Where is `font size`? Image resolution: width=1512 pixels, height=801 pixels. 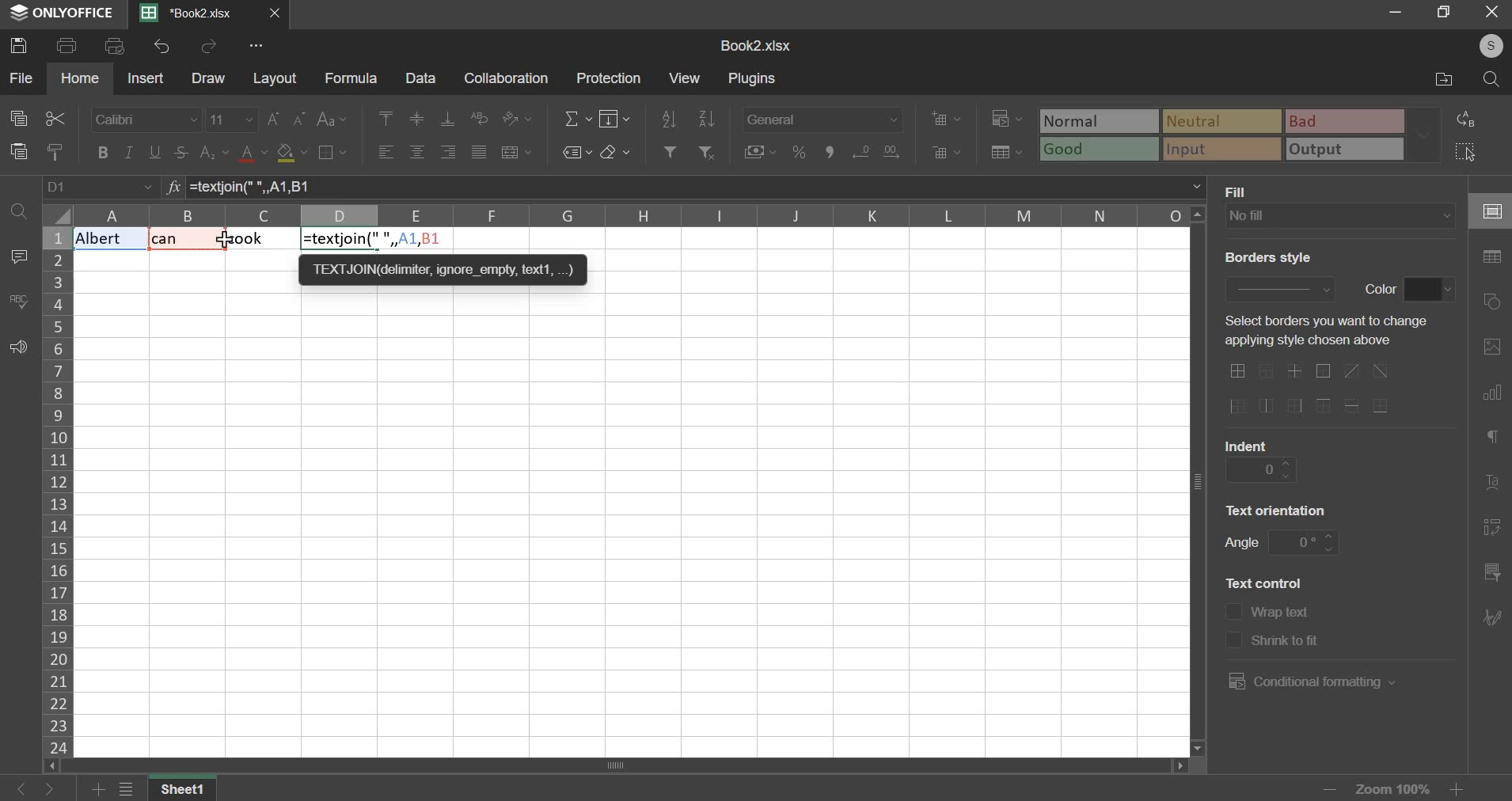
font size is located at coordinates (232, 119).